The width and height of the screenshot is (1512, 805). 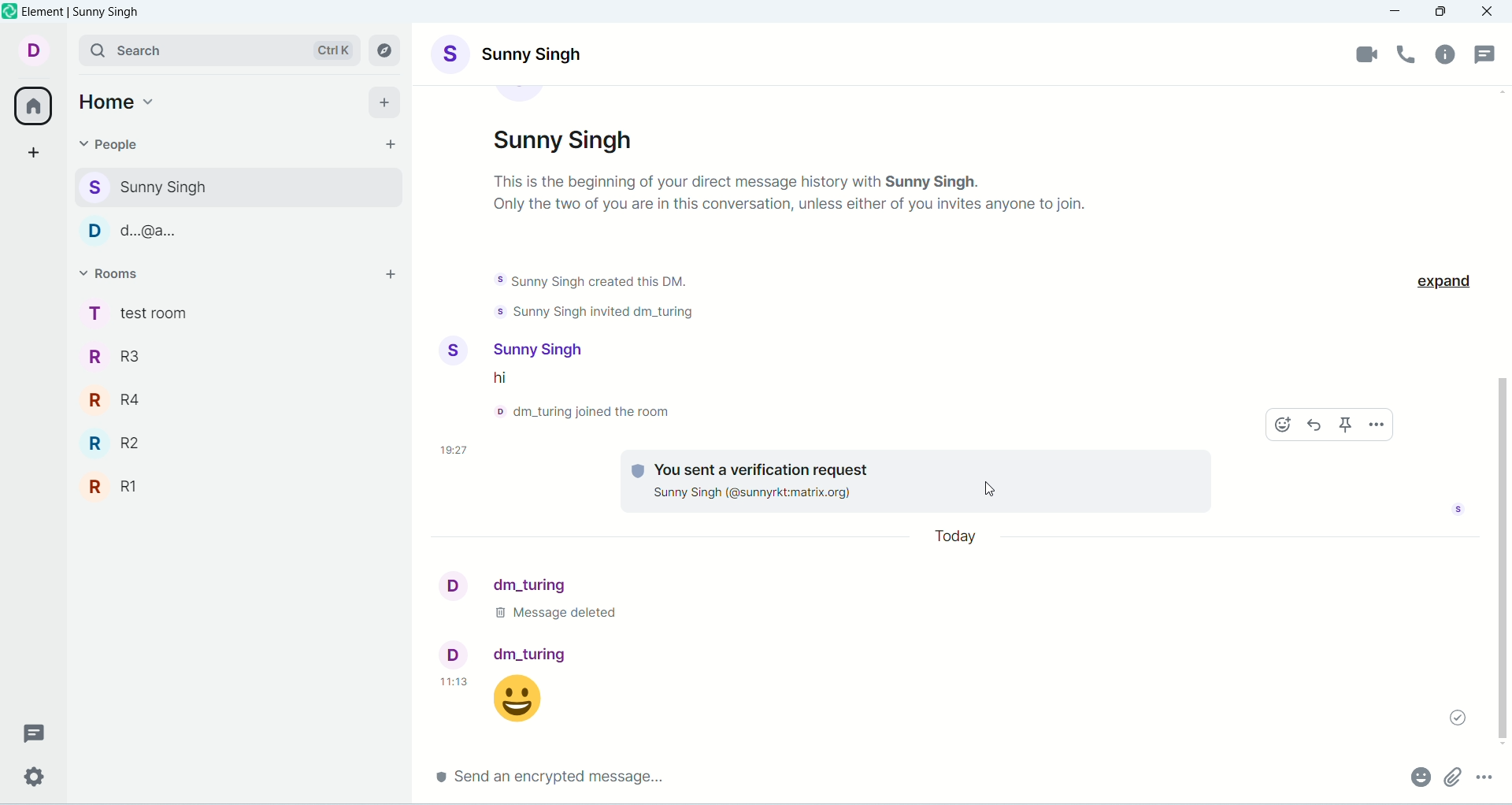 I want to click on dm_turing, so click(x=532, y=655).